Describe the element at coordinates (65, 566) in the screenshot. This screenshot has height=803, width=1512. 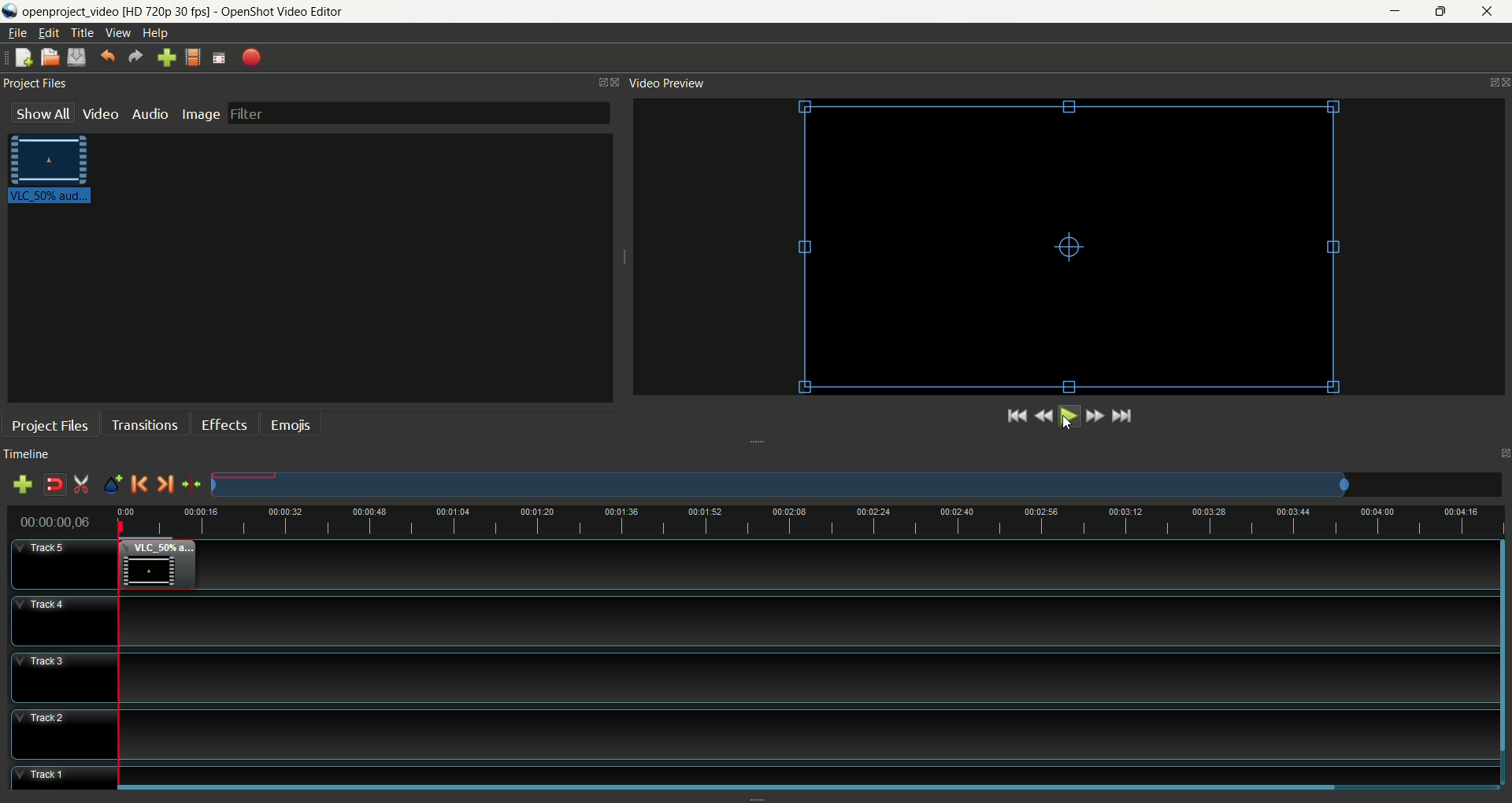
I see `track5` at that location.